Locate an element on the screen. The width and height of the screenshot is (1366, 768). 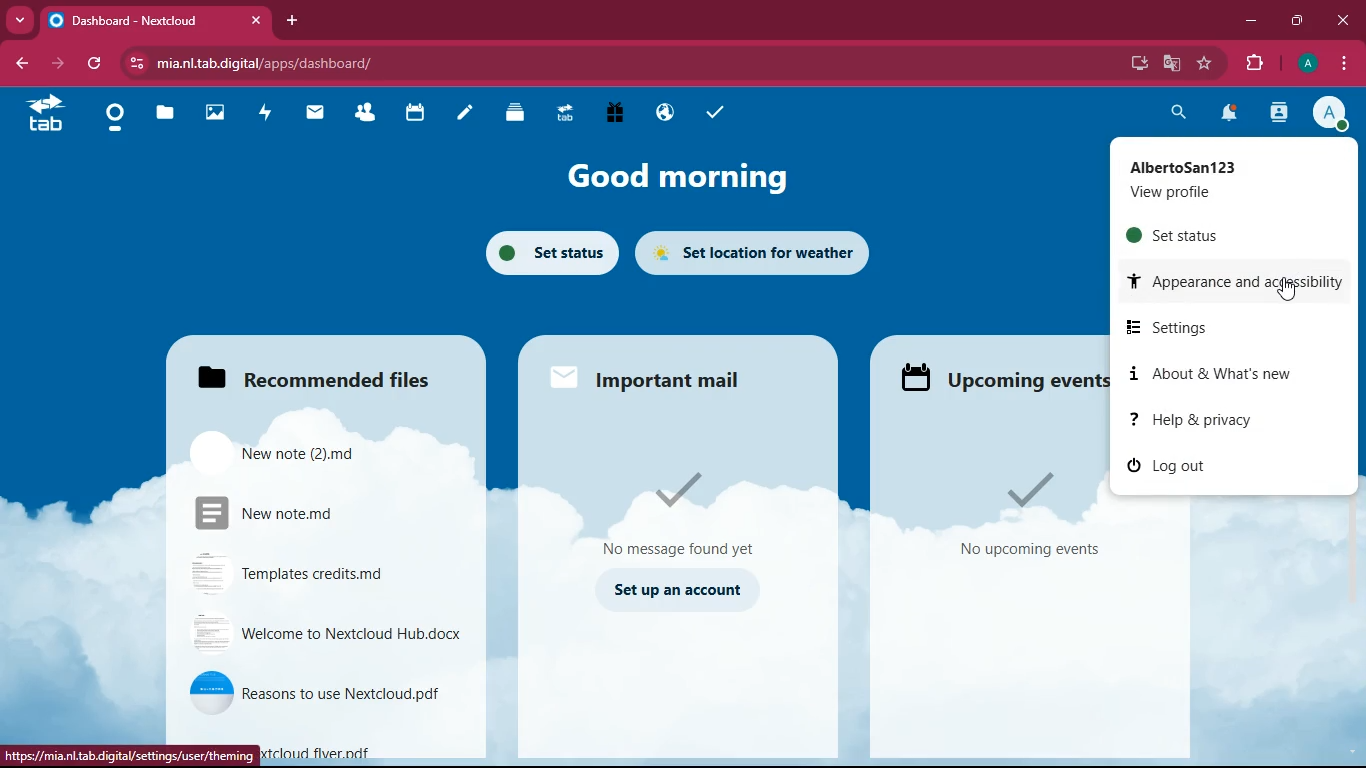
cursor is located at coordinates (1287, 291).